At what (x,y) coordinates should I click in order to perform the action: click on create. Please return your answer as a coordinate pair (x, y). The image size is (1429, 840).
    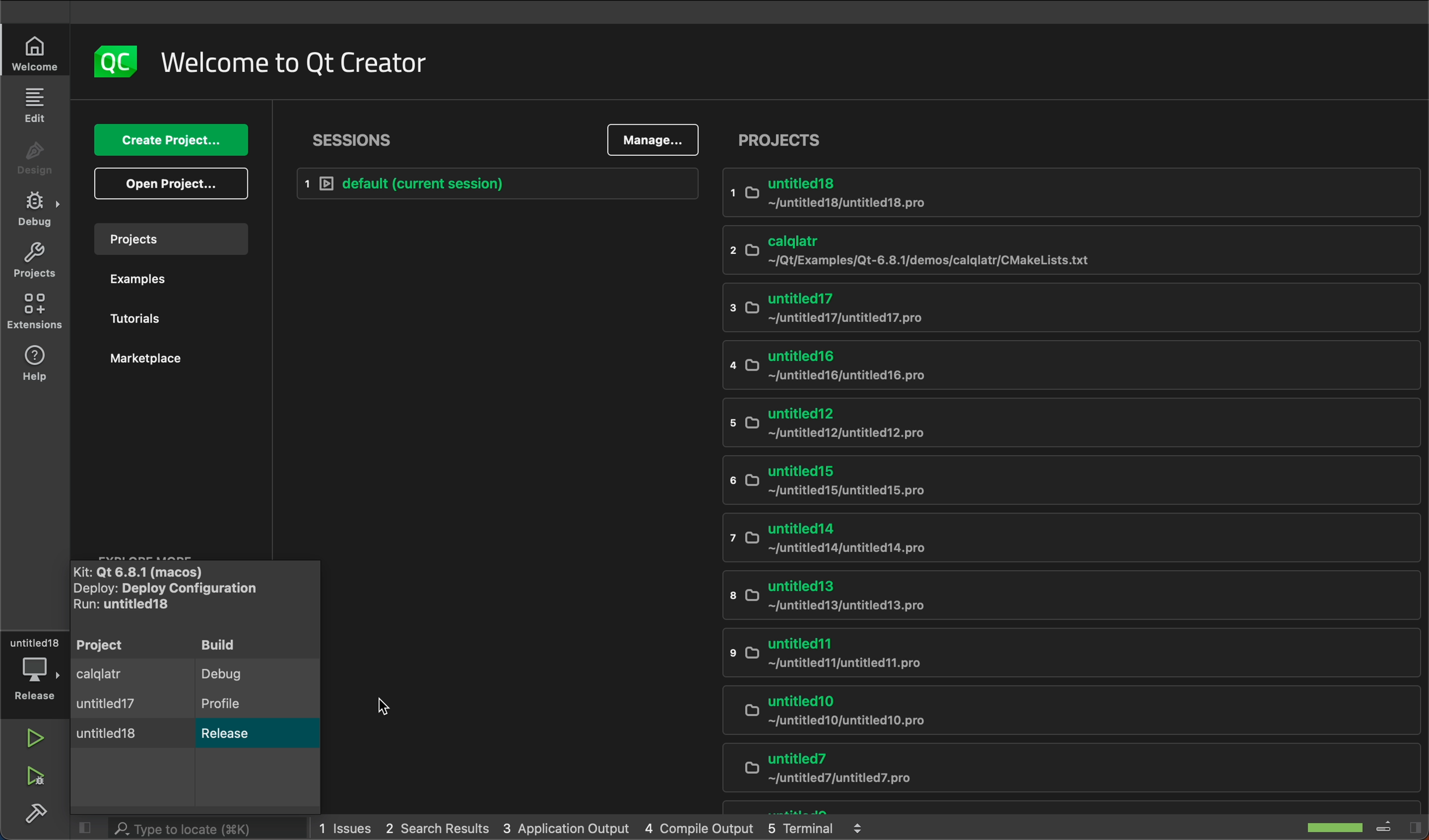
    Looking at the image, I should click on (172, 140).